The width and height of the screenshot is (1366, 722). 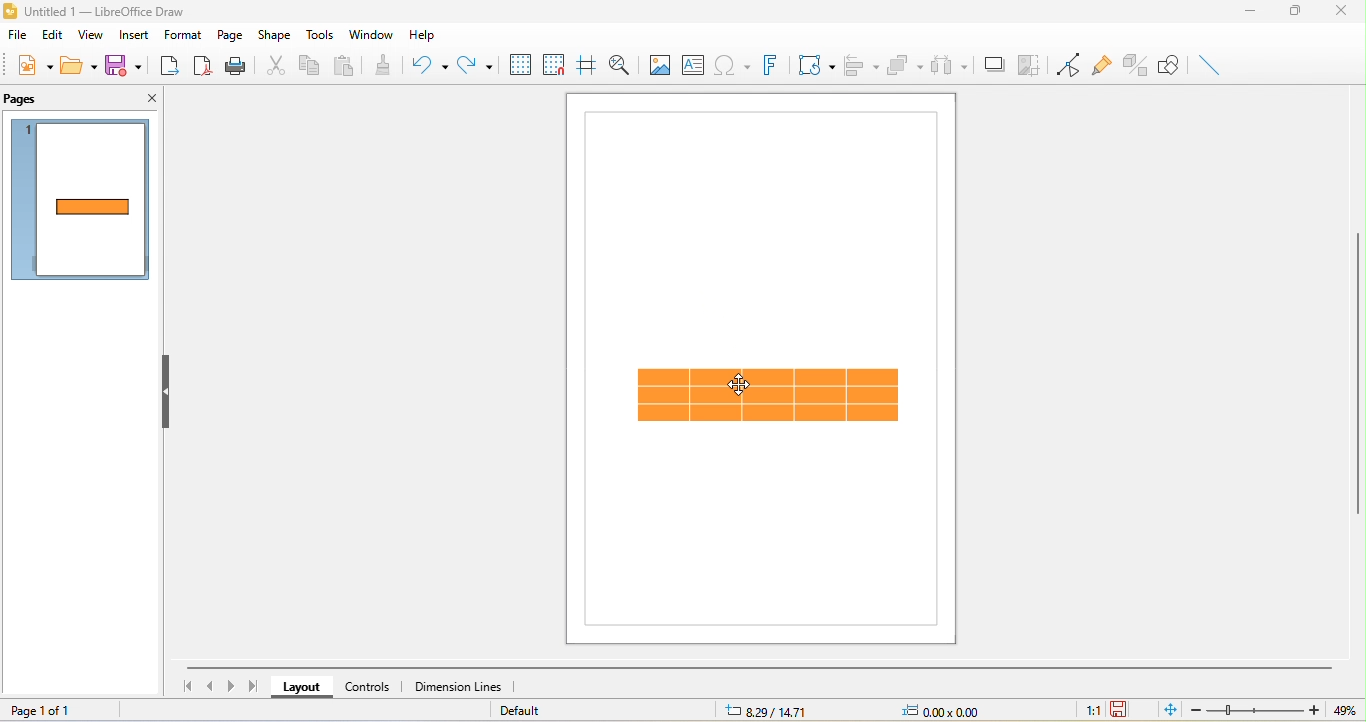 What do you see at coordinates (55, 708) in the screenshot?
I see `page 1 of 1` at bounding box center [55, 708].